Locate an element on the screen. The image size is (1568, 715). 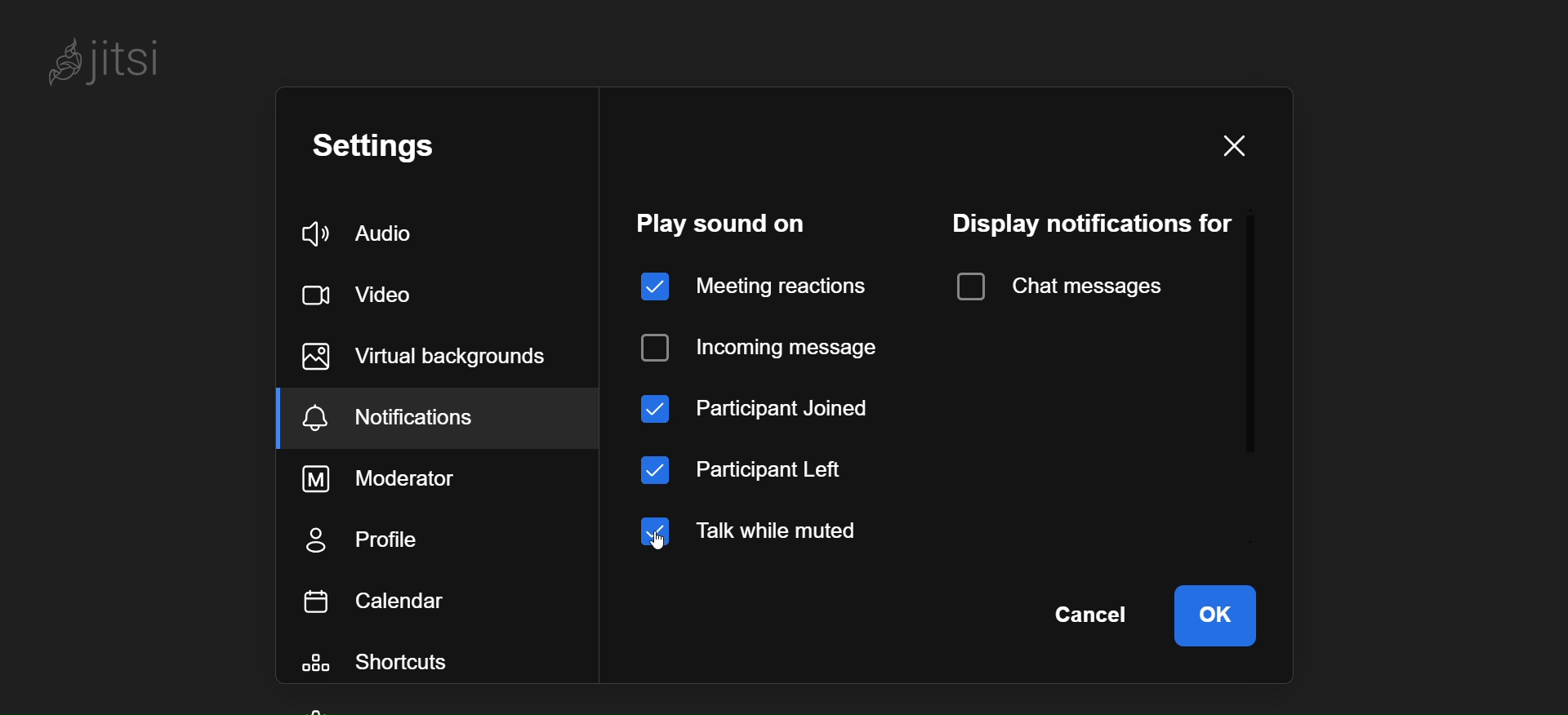
scroll bar is located at coordinates (1254, 328).